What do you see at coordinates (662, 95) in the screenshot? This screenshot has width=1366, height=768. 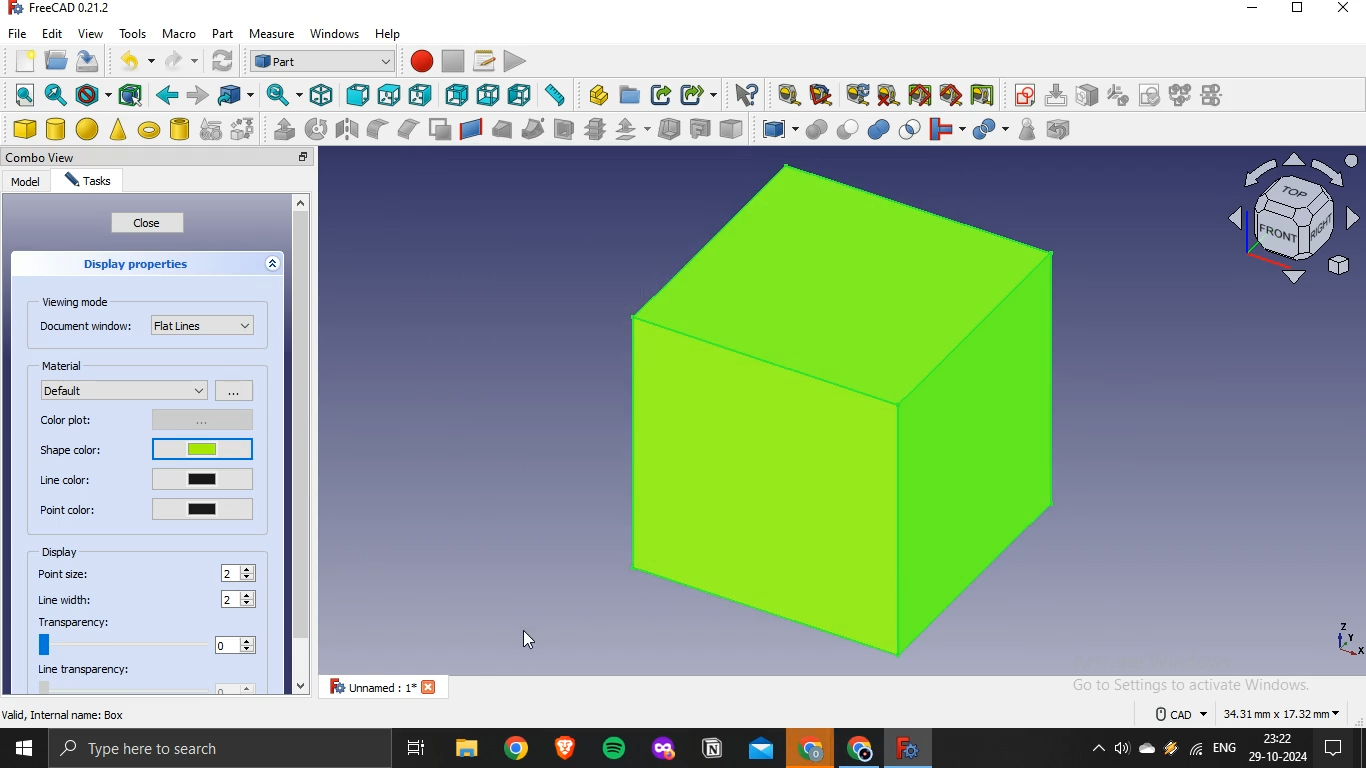 I see `make link` at bounding box center [662, 95].